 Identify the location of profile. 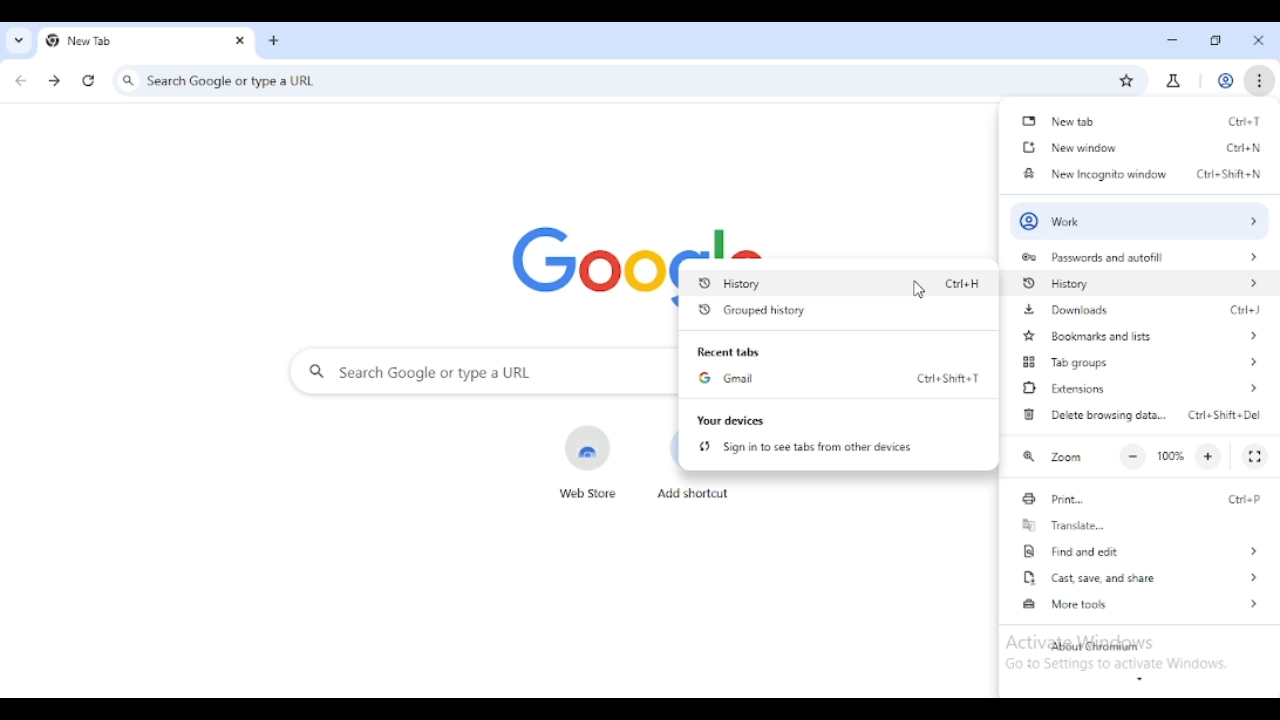
(1226, 81).